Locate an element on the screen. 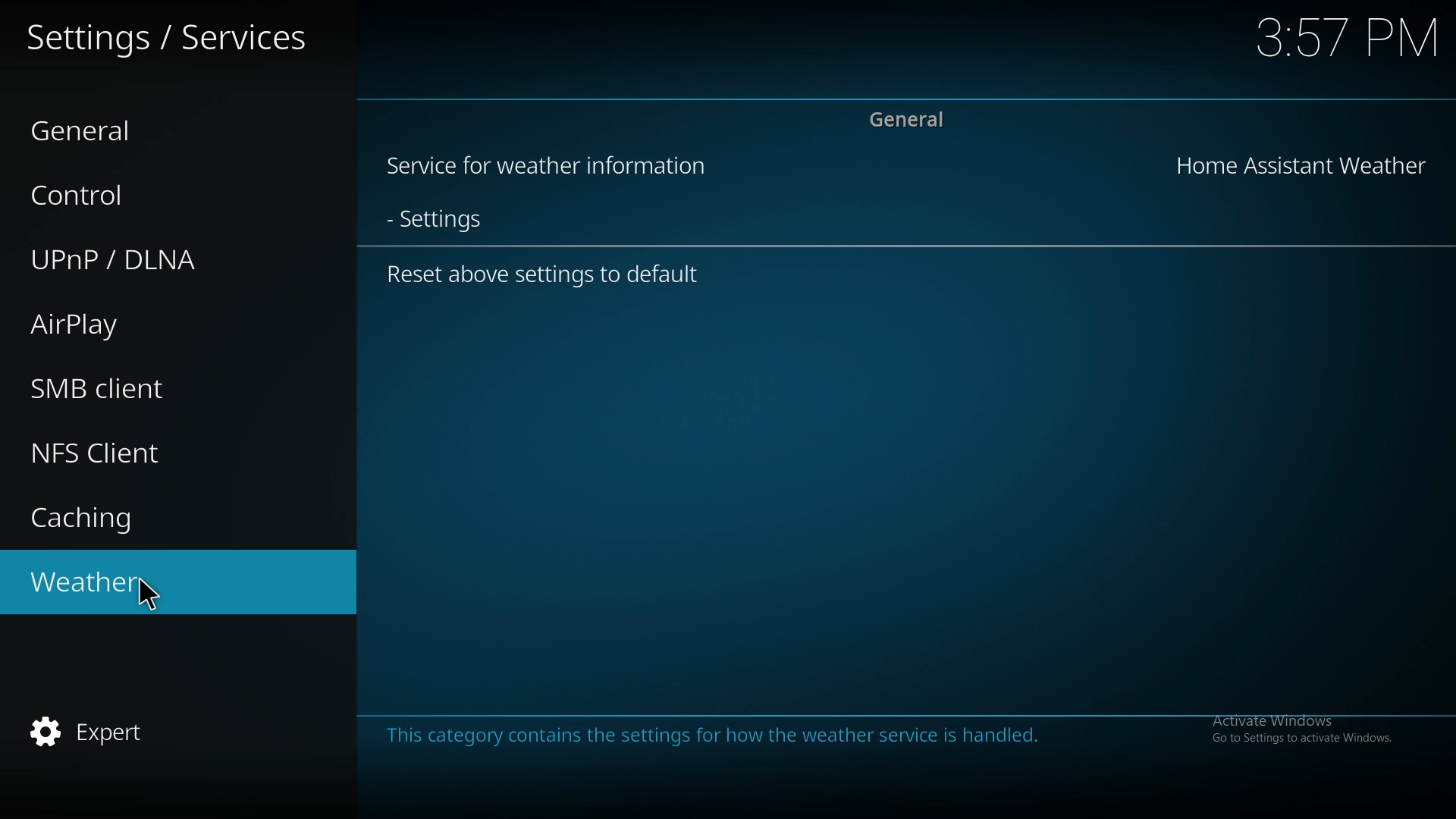 The height and width of the screenshot is (819, 1456). home assistant weather is located at coordinates (1304, 163).